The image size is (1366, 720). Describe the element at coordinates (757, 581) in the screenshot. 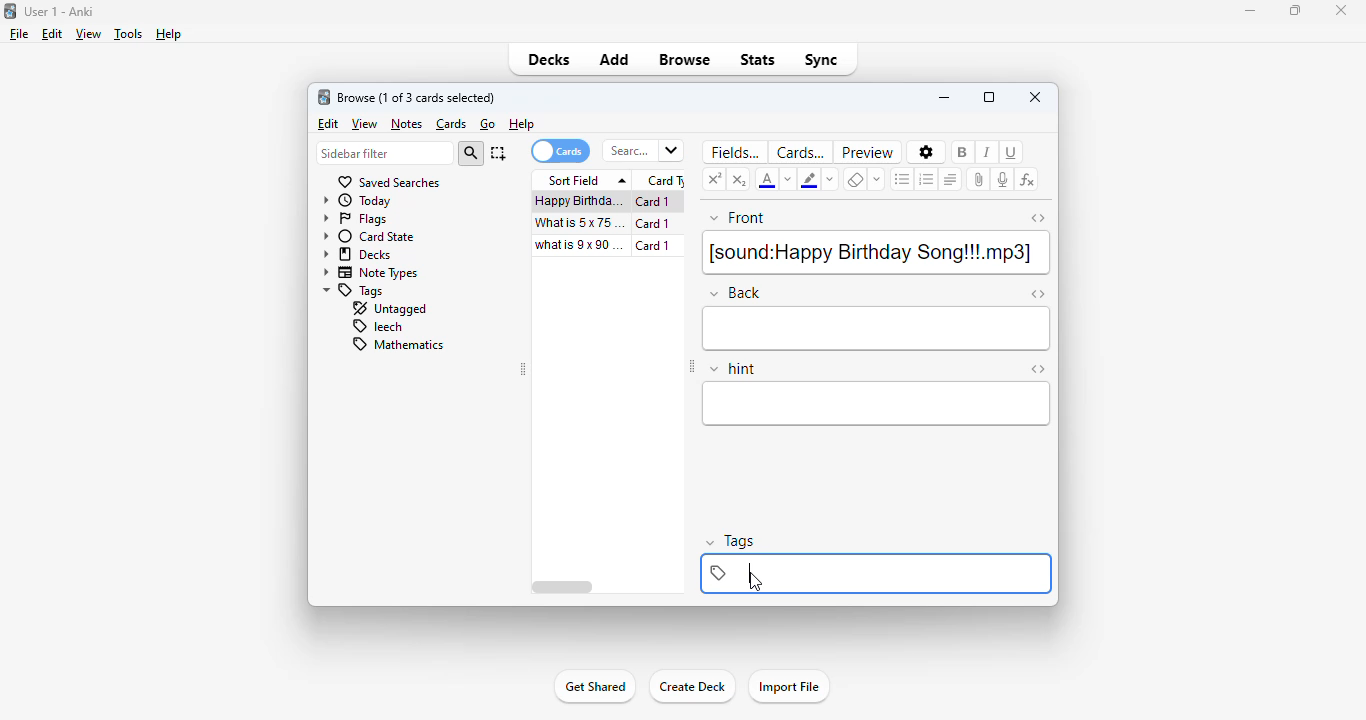

I see `Cursor` at that location.